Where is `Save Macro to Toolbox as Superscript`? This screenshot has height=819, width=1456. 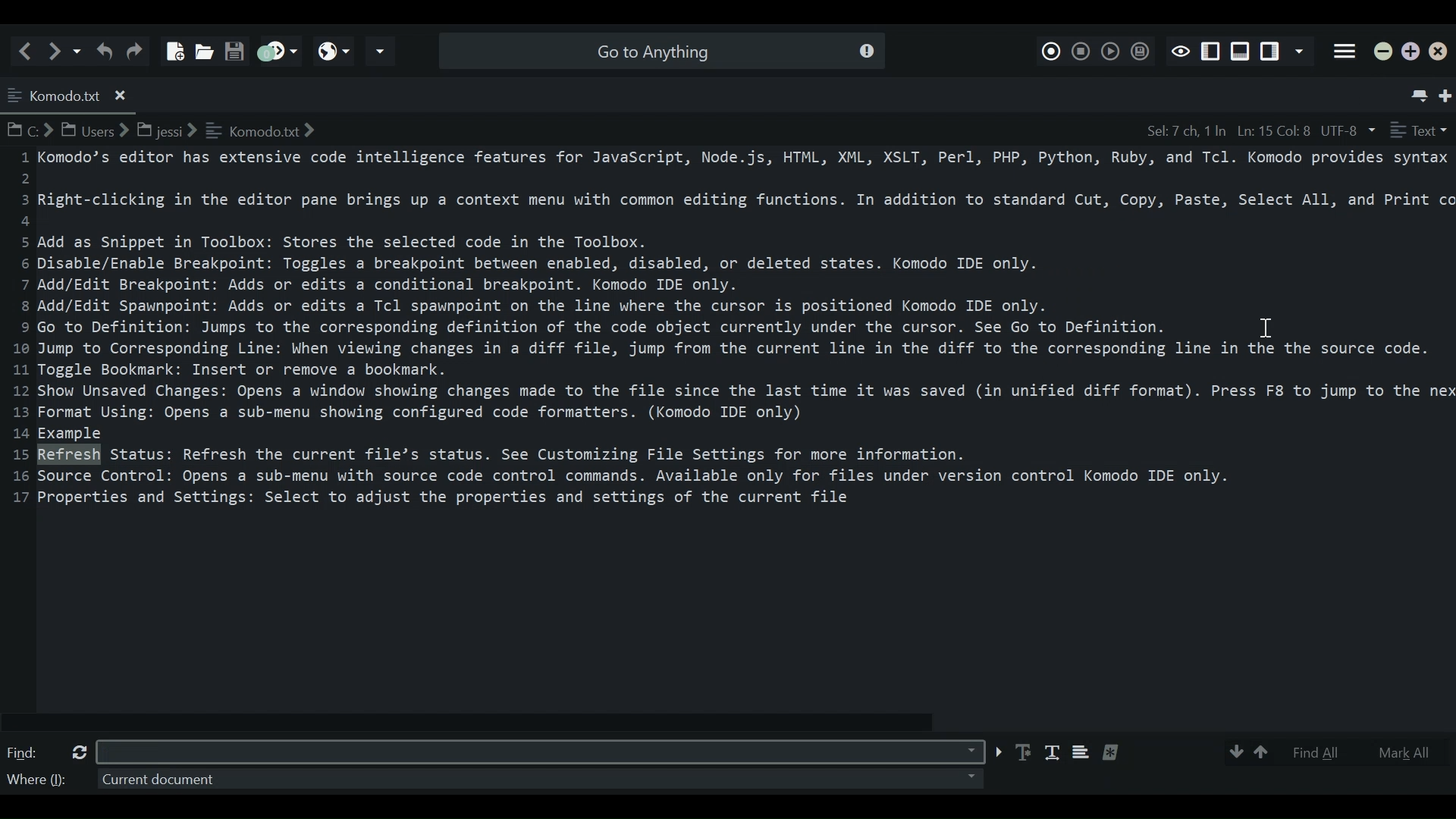
Save Macro to Toolbox as Superscript is located at coordinates (1138, 51).